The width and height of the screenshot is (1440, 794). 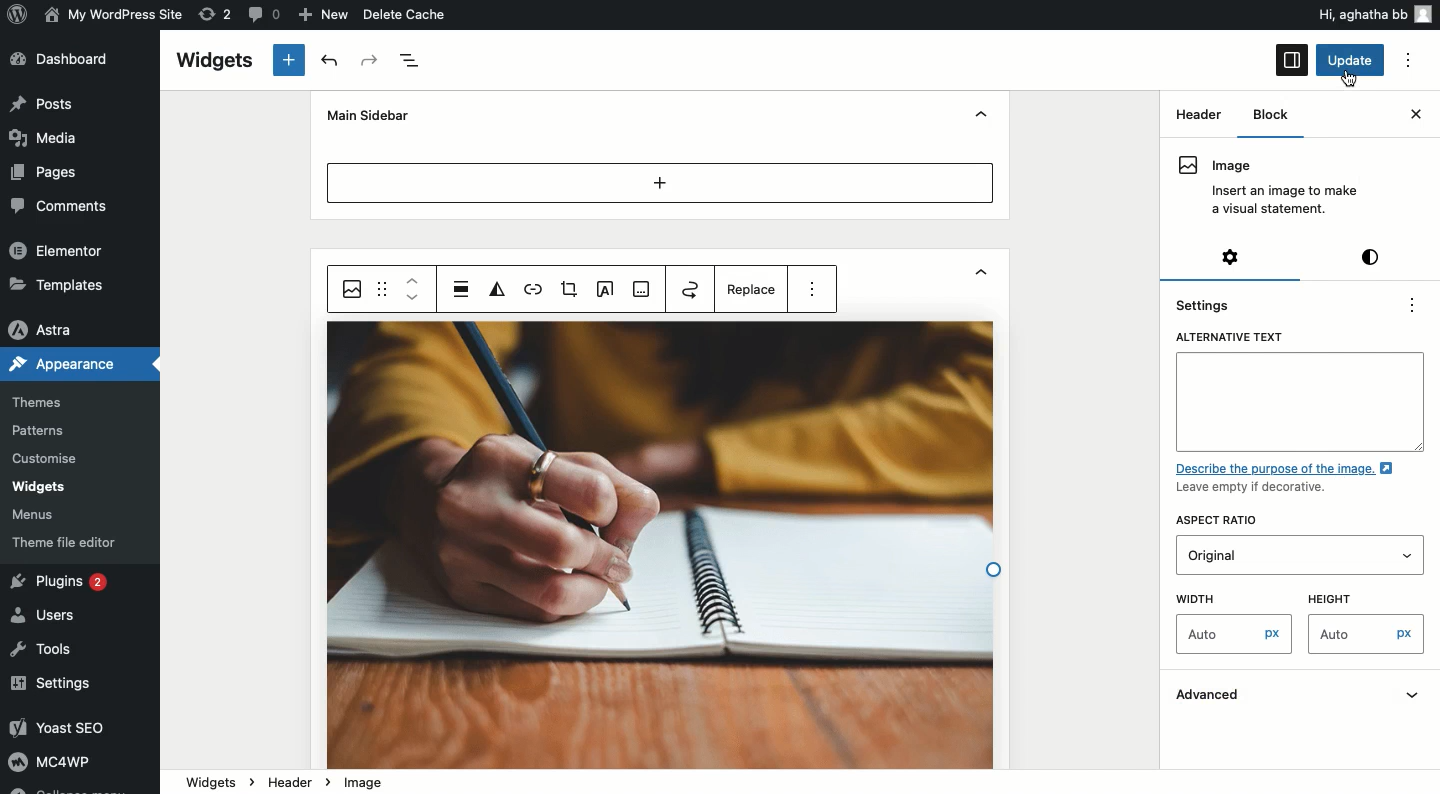 I want to click on Plugins, so click(x=63, y=583).